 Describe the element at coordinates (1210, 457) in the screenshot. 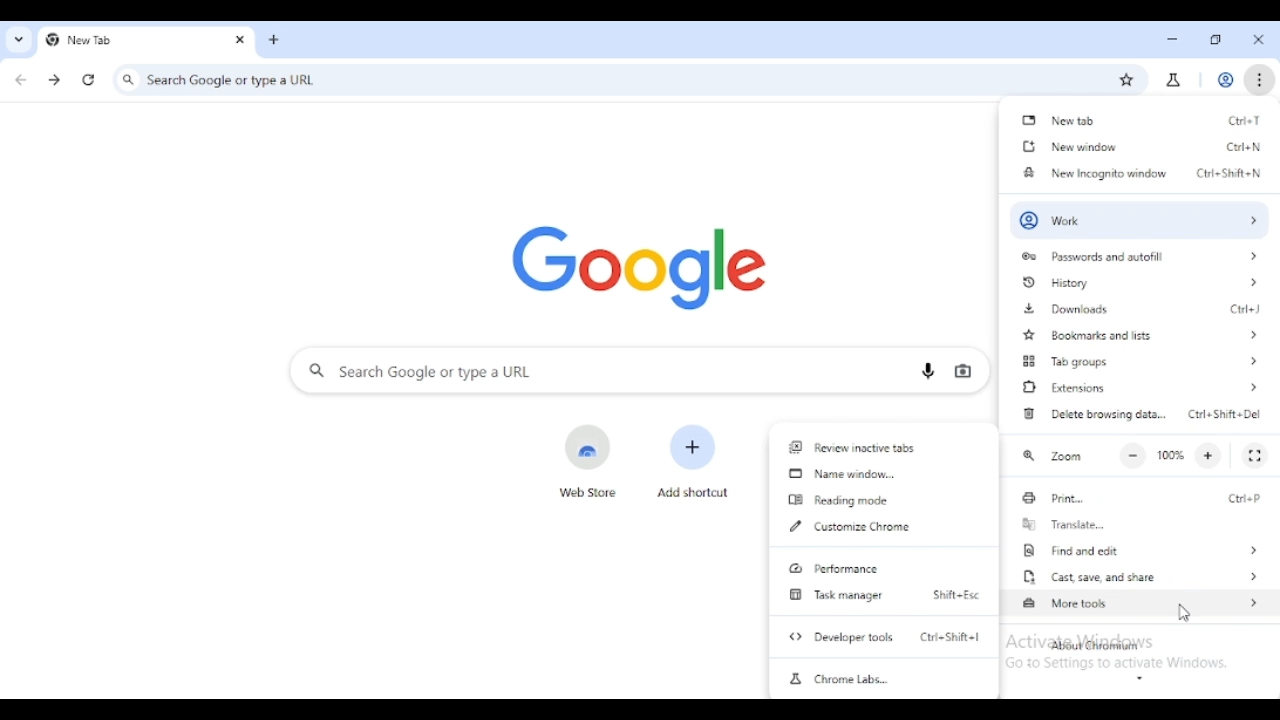

I see `make text larger` at that location.